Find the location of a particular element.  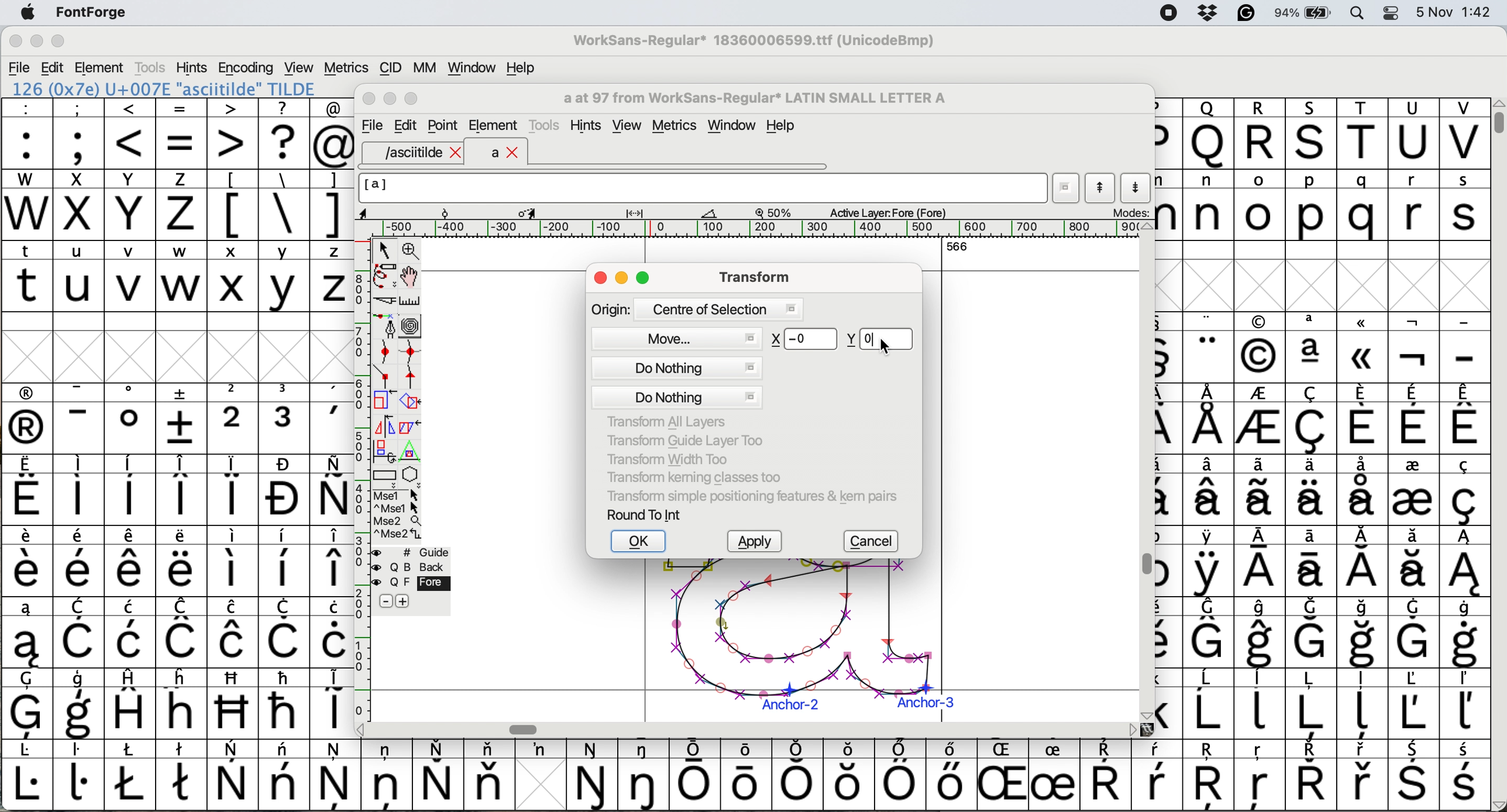

skew selection is located at coordinates (413, 429).